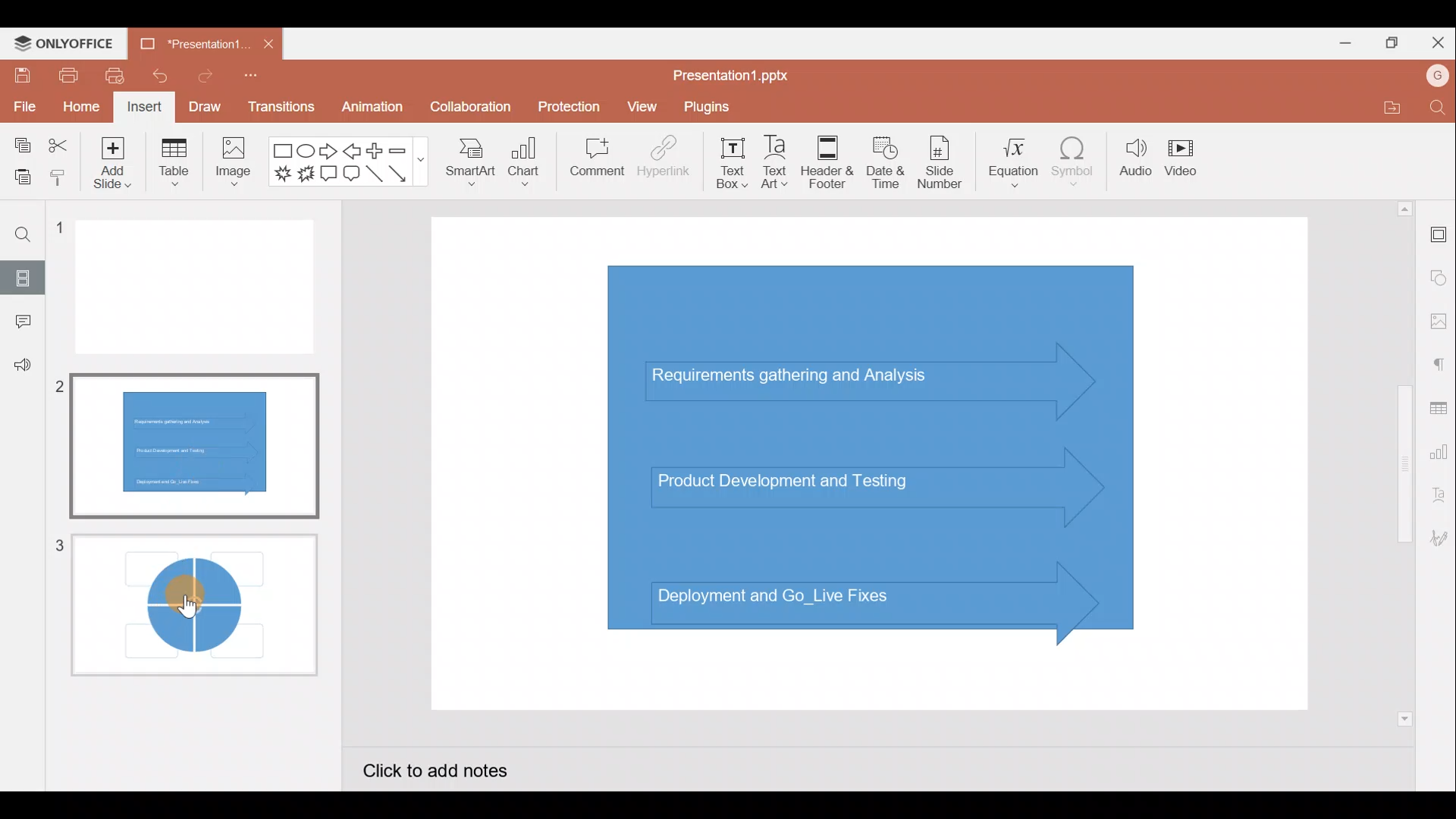  I want to click on Undo, so click(158, 77).